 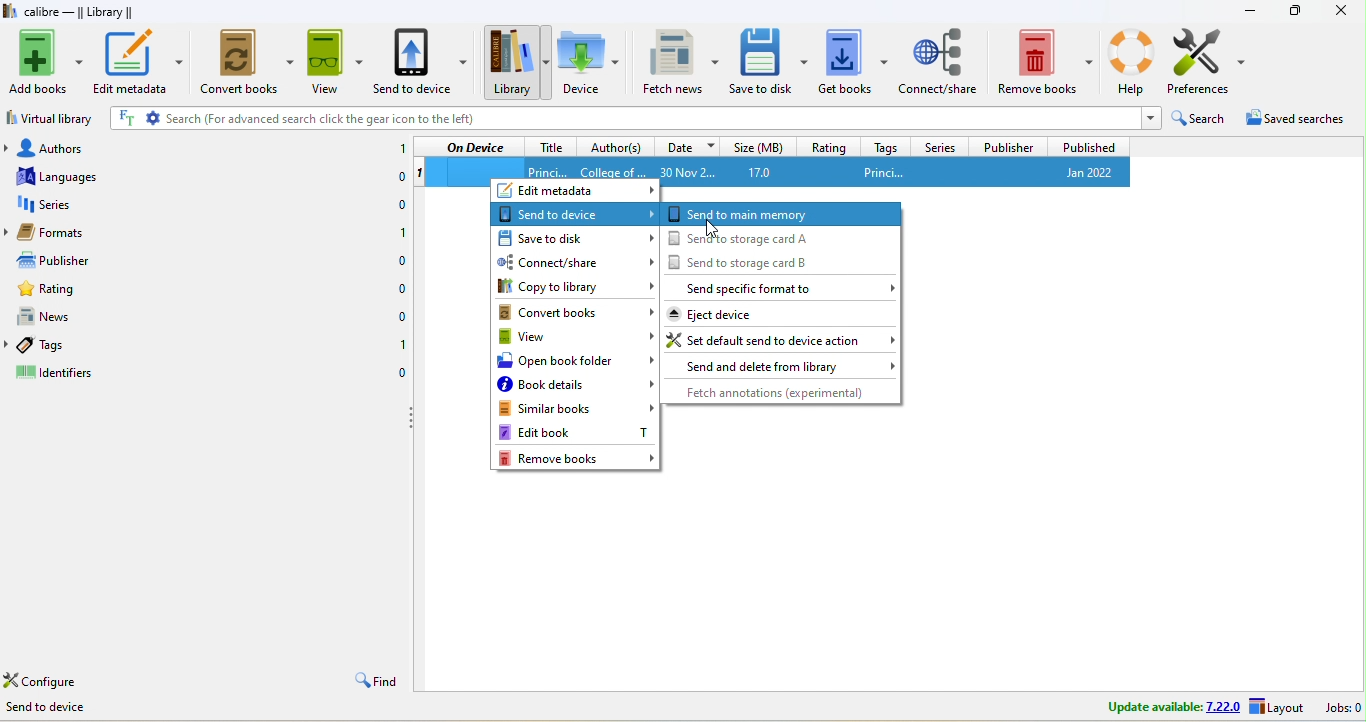 I want to click on Author, so click(x=612, y=169).